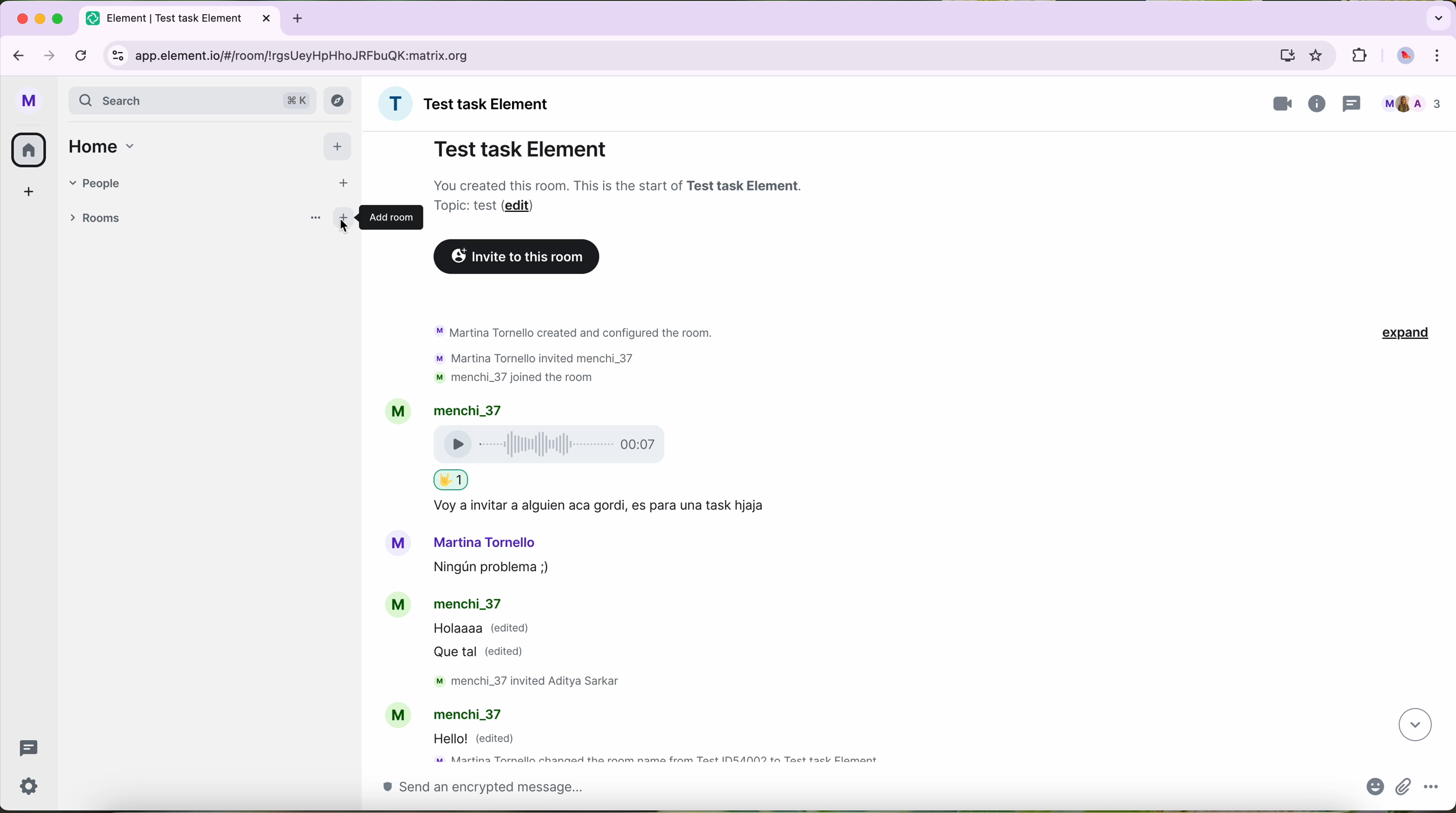  What do you see at coordinates (50, 55) in the screenshot?
I see `navigate foward` at bounding box center [50, 55].